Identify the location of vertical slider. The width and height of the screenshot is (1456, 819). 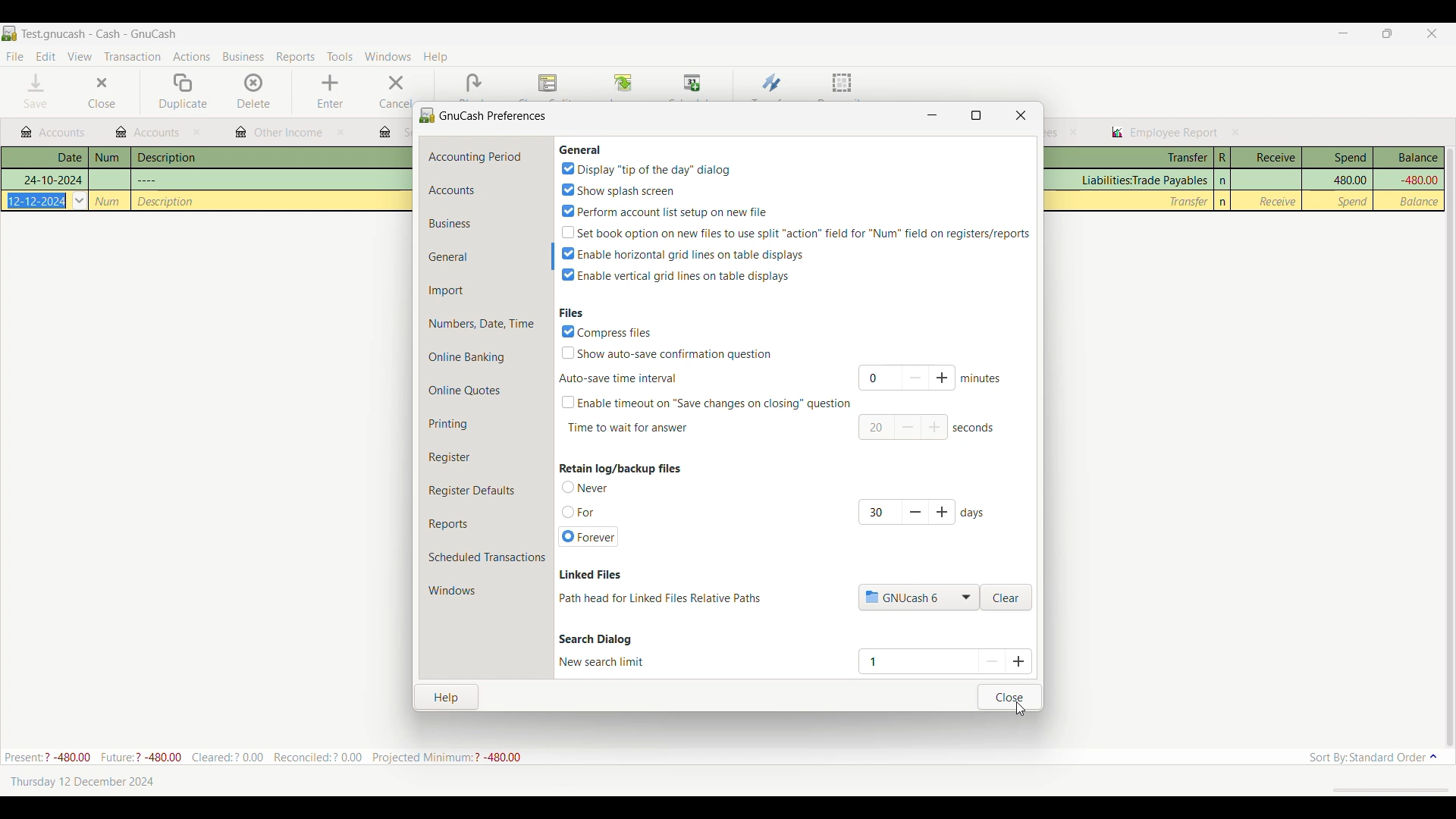
(1449, 440).